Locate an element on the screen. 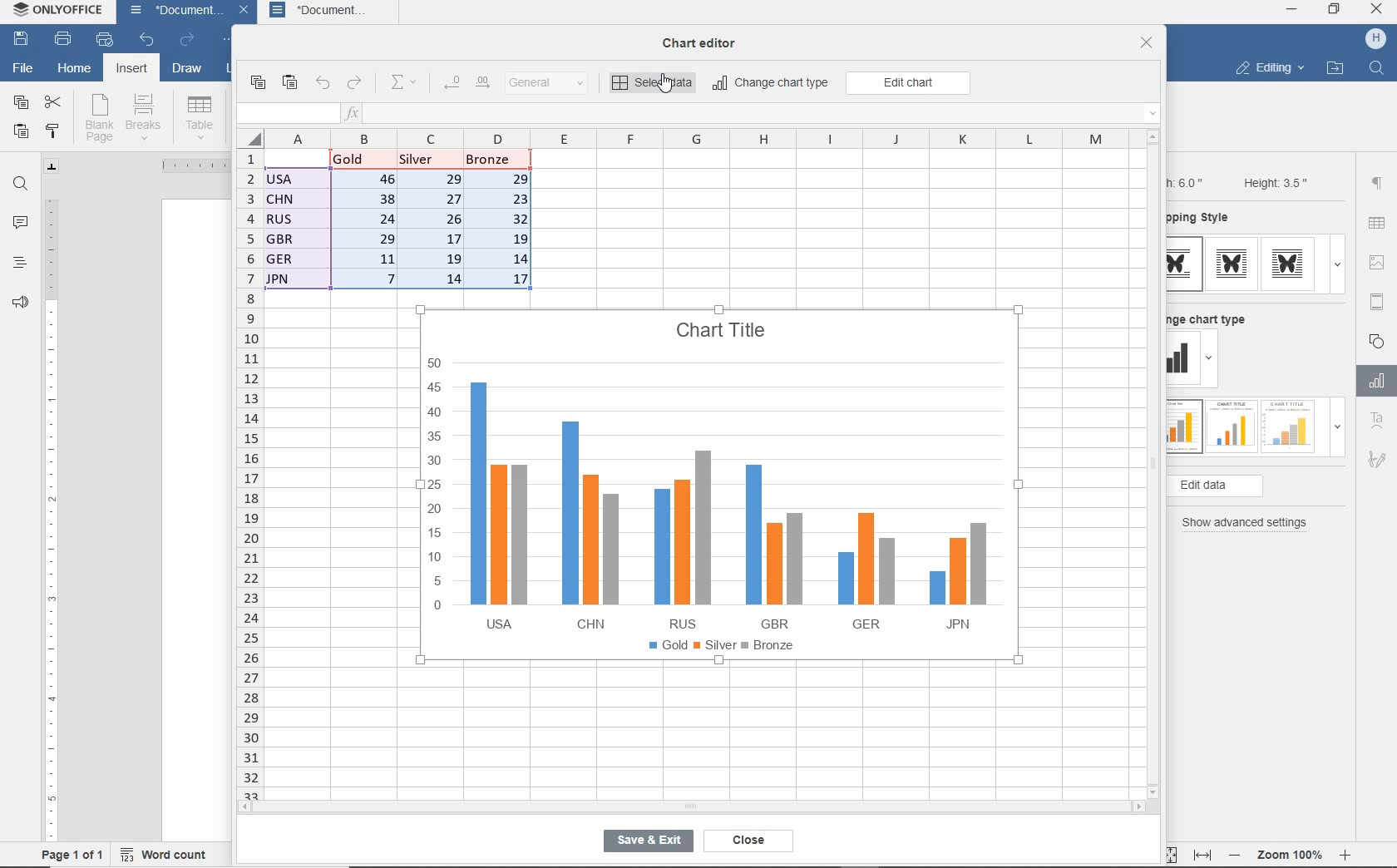 The image size is (1397, 868). scroll right is located at coordinates (1142, 807).